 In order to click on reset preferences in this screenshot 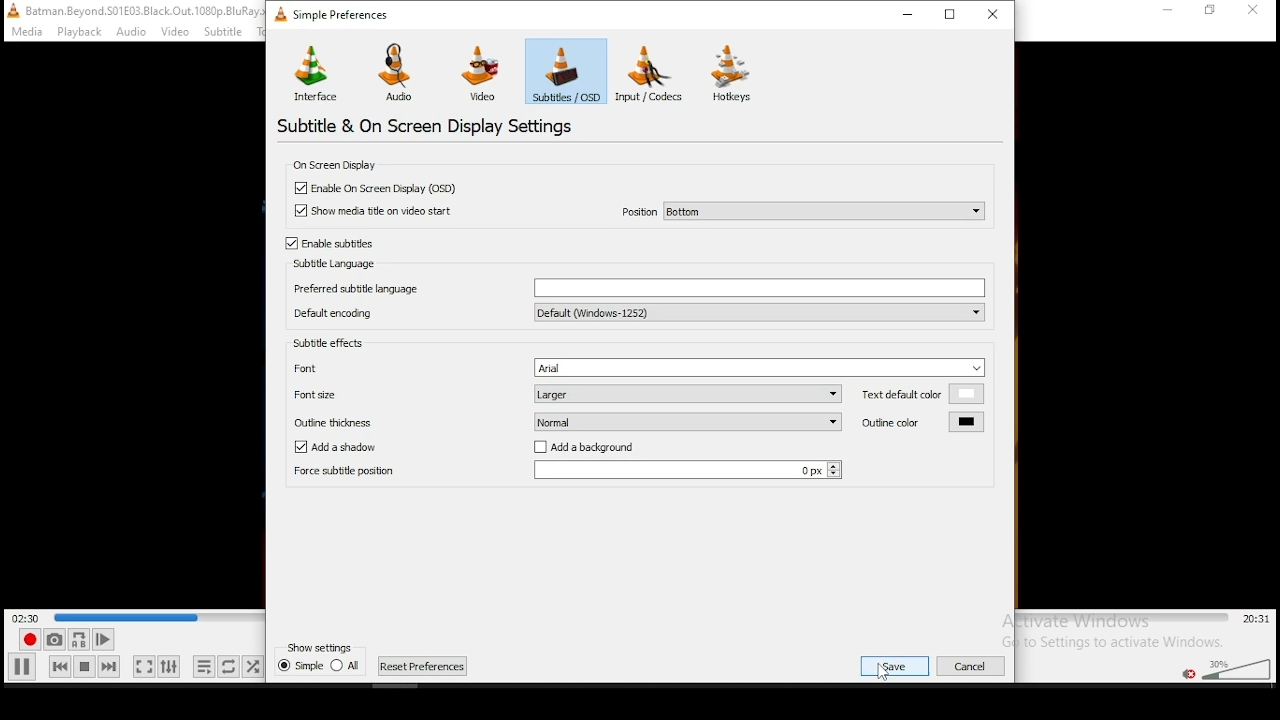, I will do `click(423, 666)`.